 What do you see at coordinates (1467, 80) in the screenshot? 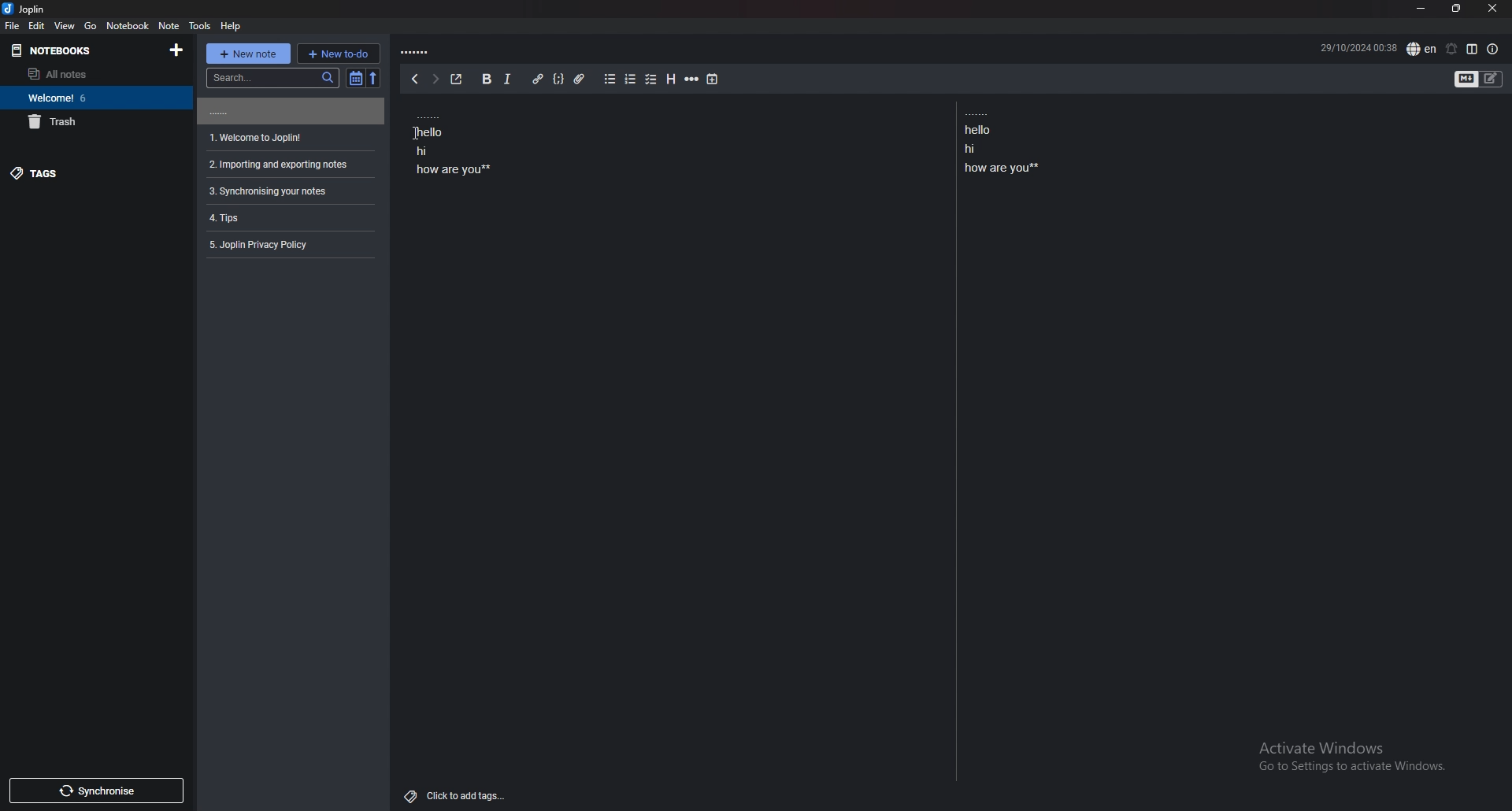
I see `toggle editors` at bounding box center [1467, 80].